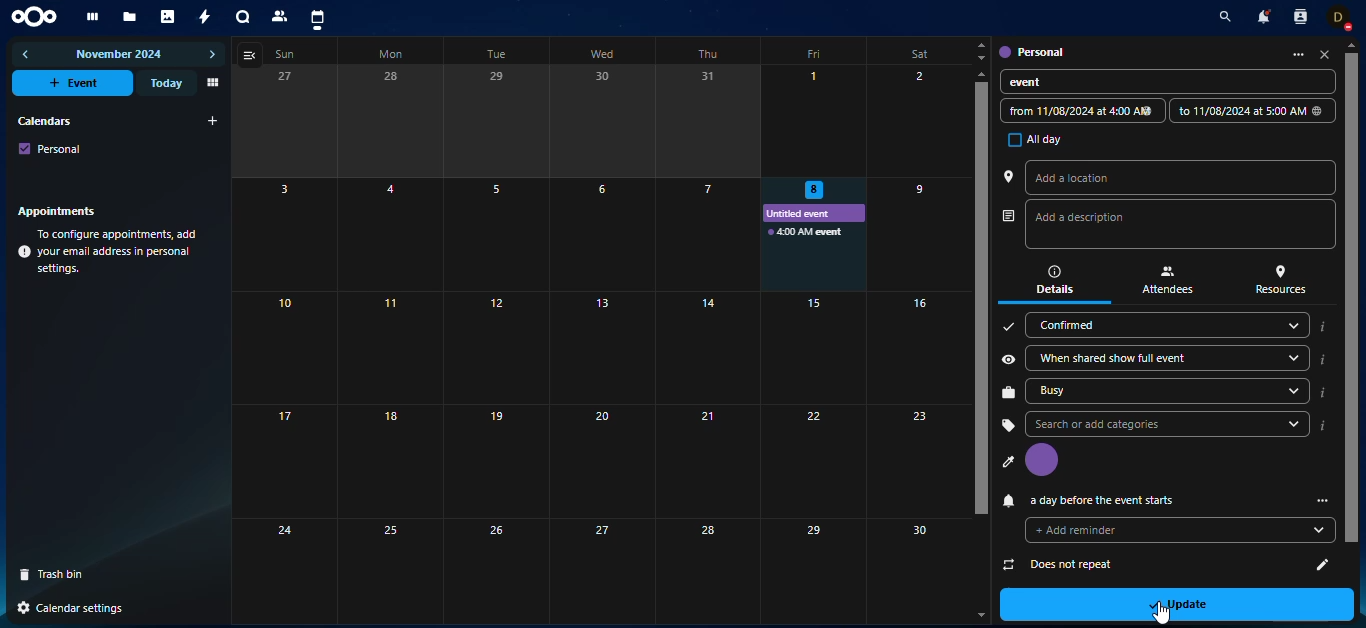 Image resolution: width=1366 pixels, height=628 pixels. Describe the element at coordinates (1291, 54) in the screenshot. I see `more` at that location.